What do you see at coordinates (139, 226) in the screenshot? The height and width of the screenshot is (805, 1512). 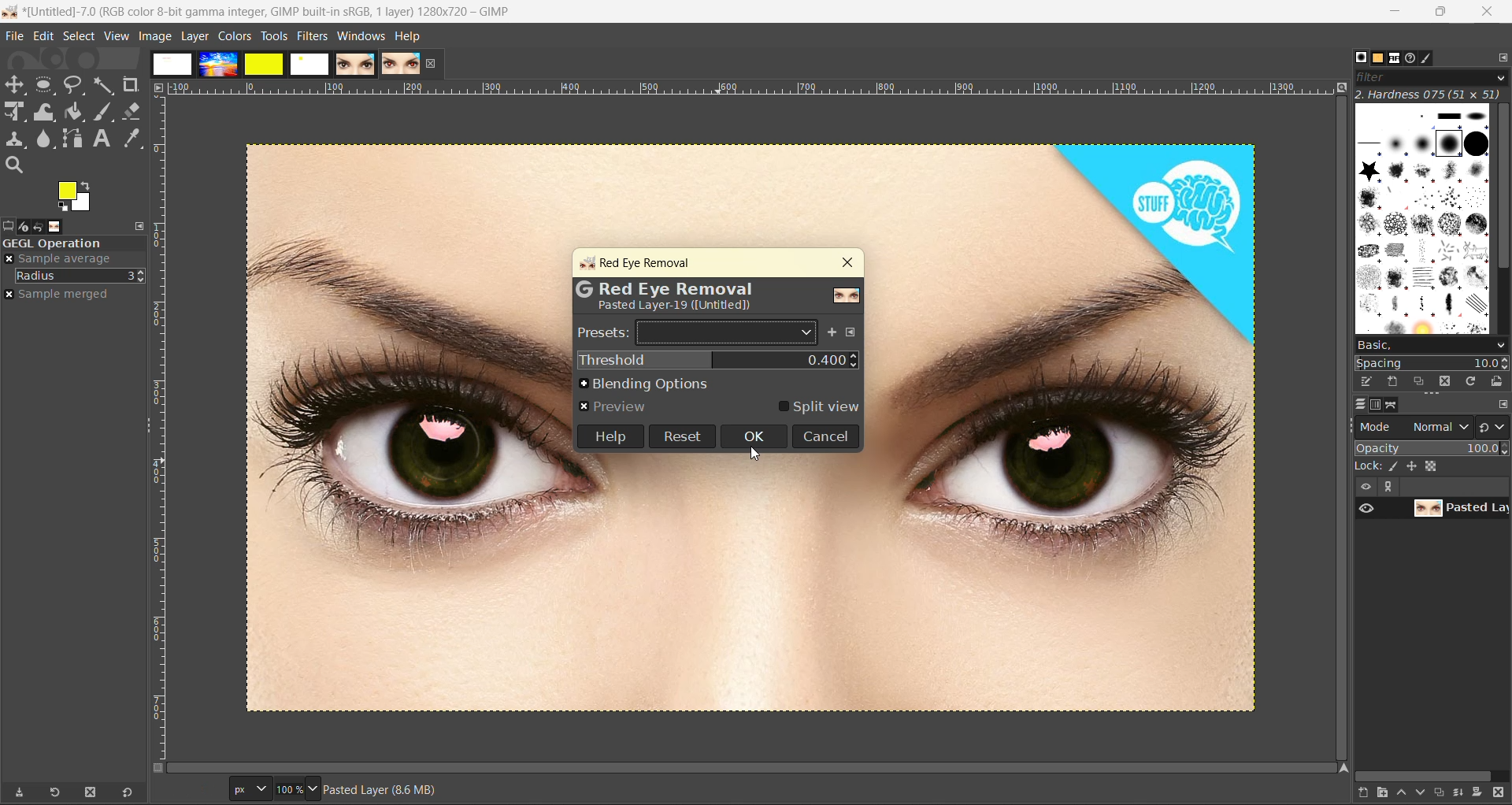 I see `configure` at bounding box center [139, 226].